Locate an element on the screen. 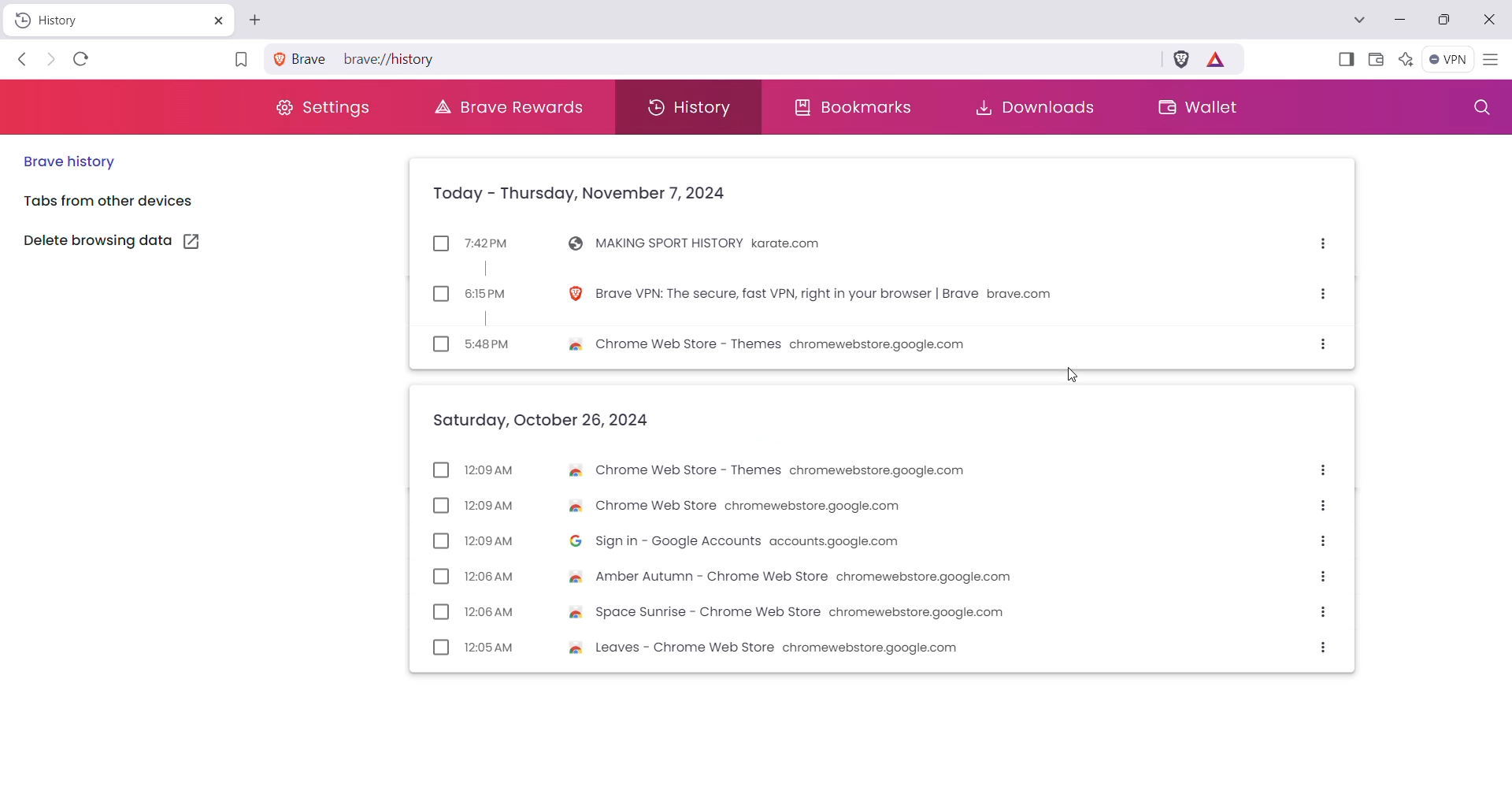  Search Tabs is located at coordinates (1361, 20).